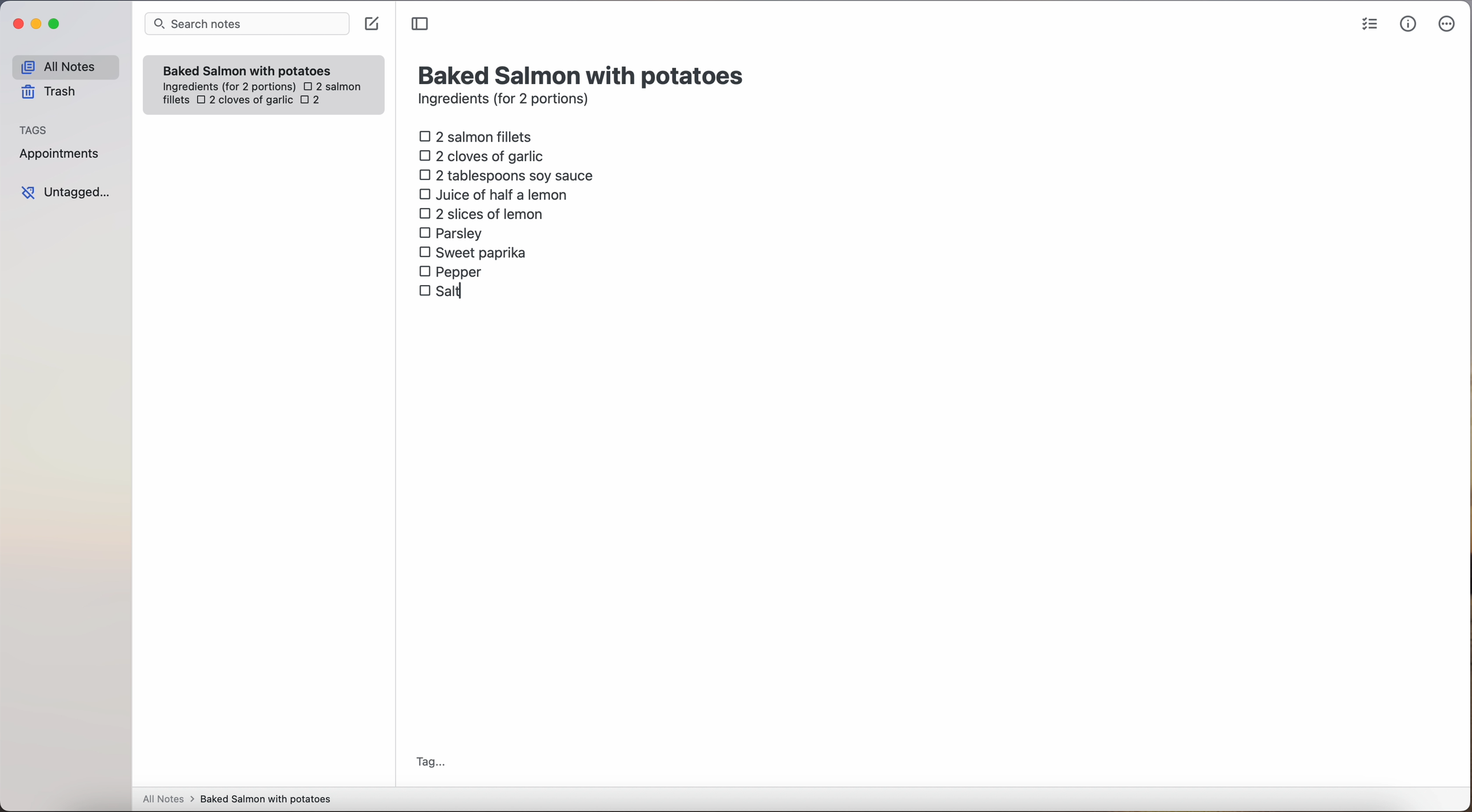  What do you see at coordinates (245, 101) in the screenshot?
I see `2 cloves of garlic` at bounding box center [245, 101].